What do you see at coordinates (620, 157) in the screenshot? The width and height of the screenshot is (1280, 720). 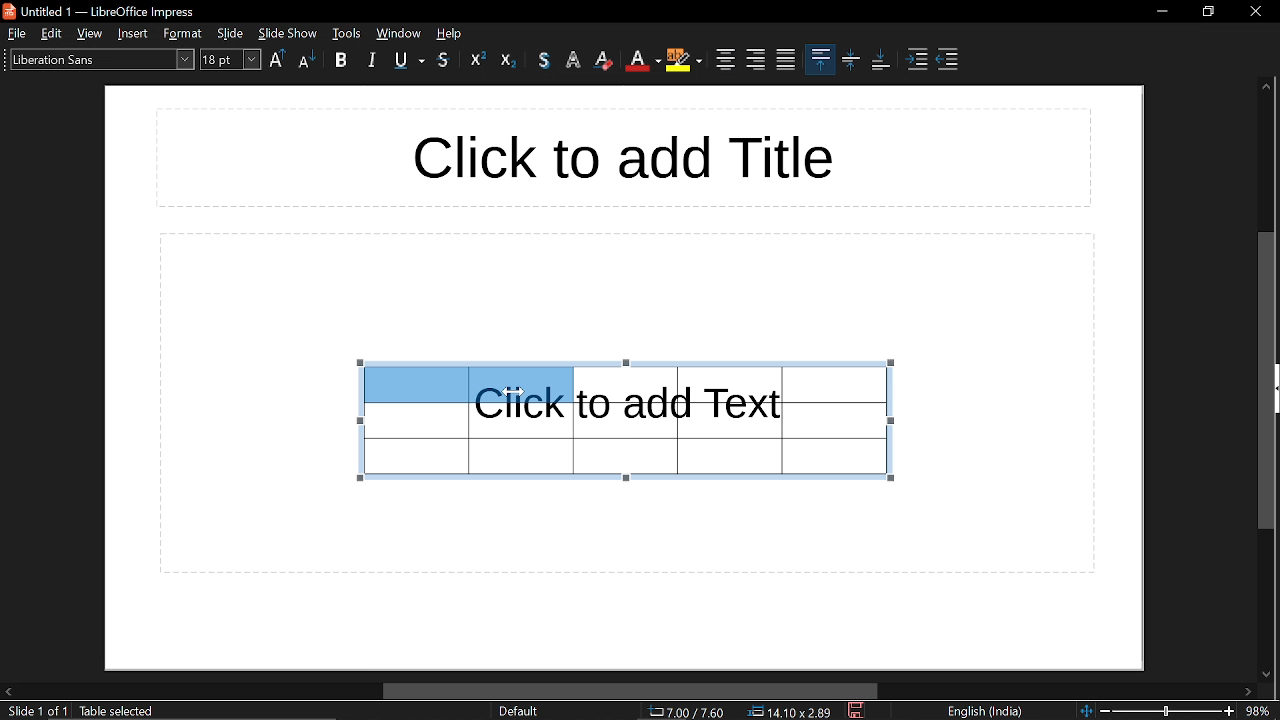 I see `title space` at bounding box center [620, 157].